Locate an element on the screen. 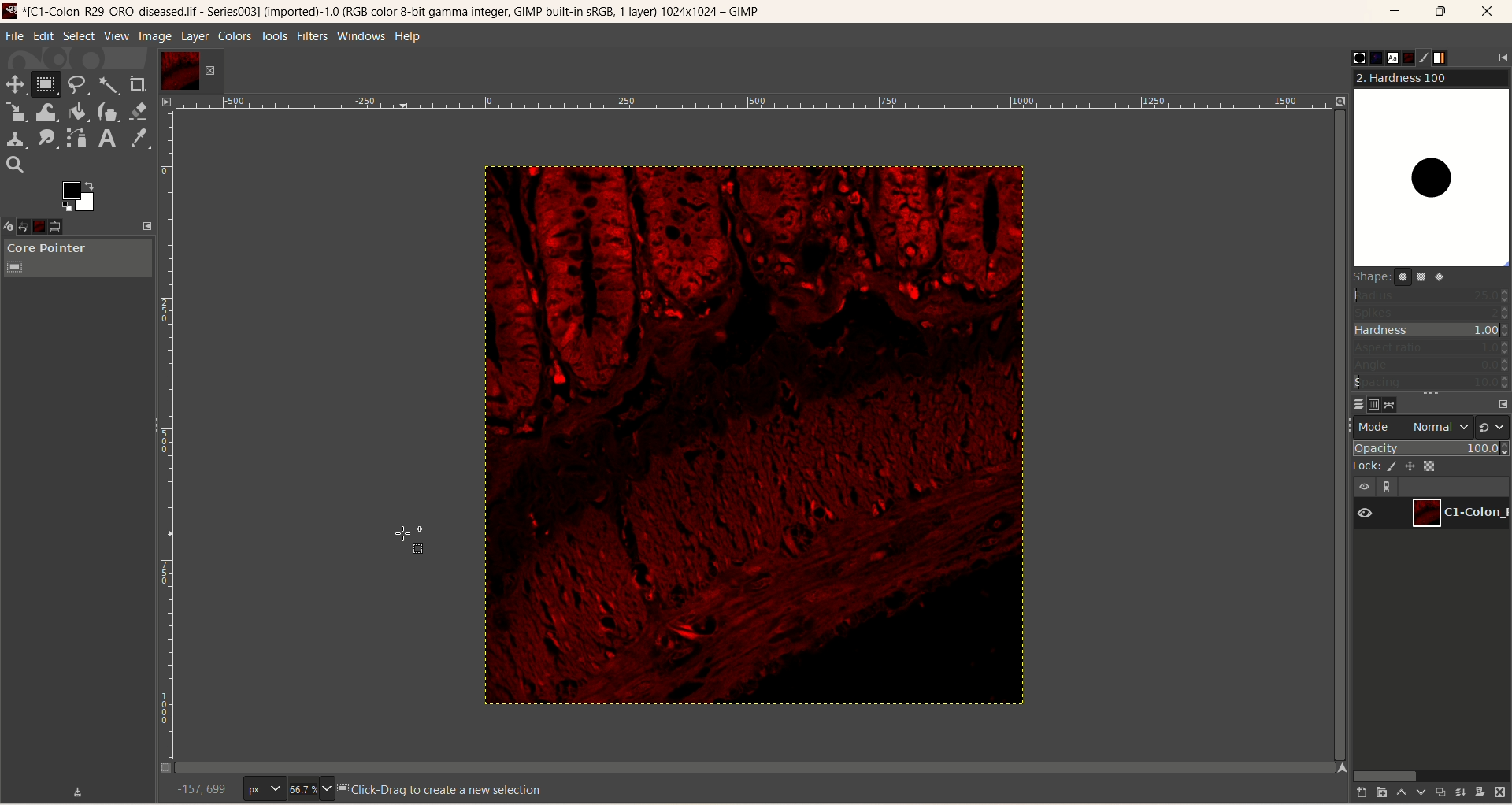 This screenshot has height=805, width=1512. scale bar is located at coordinates (754, 105).